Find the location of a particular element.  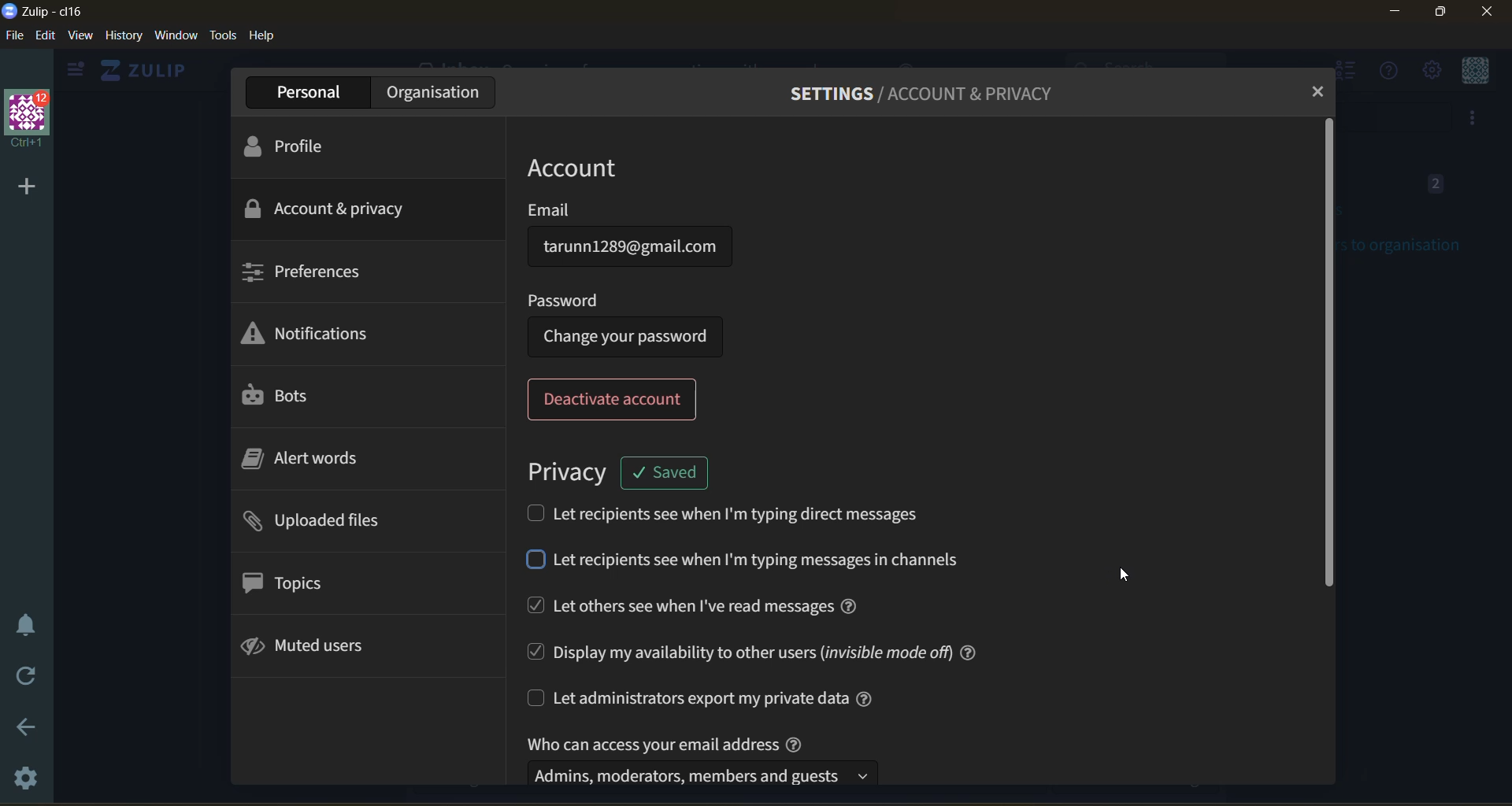

topics is located at coordinates (287, 582).